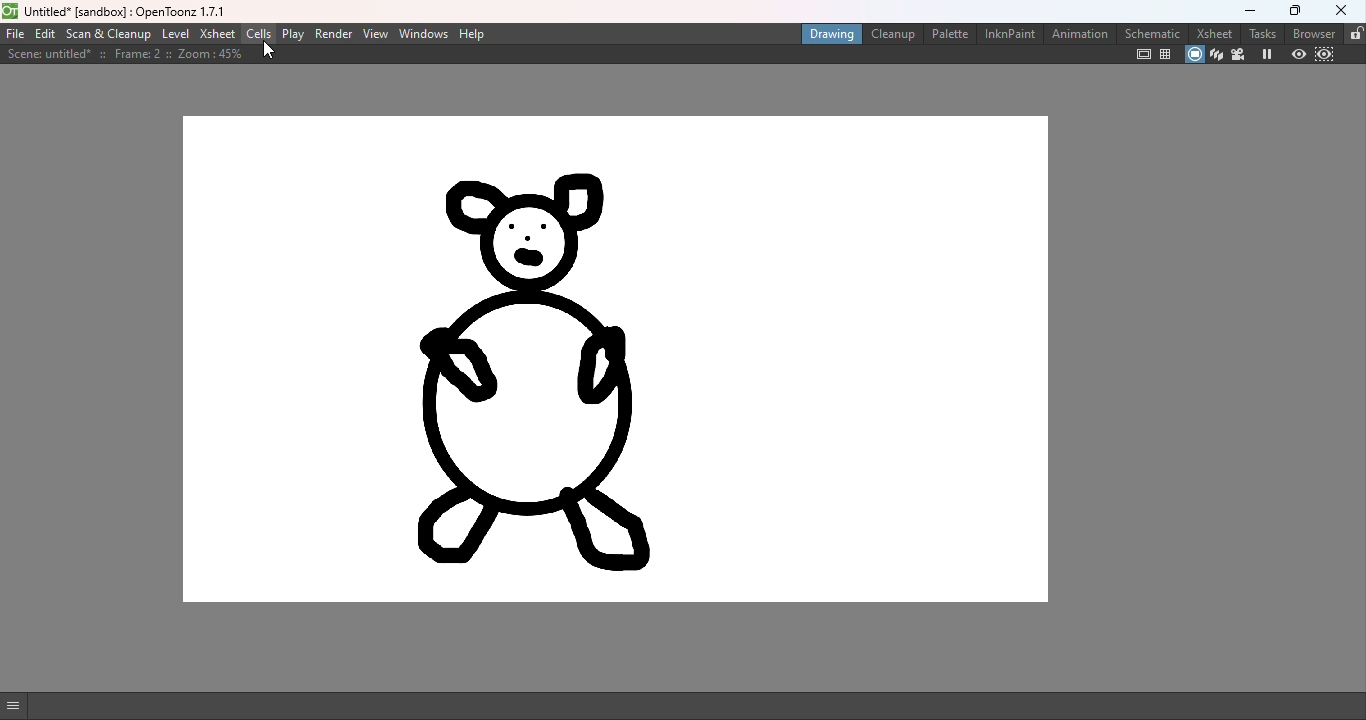 The height and width of the screenshot is (720, 1366). What do you see at coordinates (1298, 9) in the screenshot?
I see `Maximize` at bounding box center [1298, 9].